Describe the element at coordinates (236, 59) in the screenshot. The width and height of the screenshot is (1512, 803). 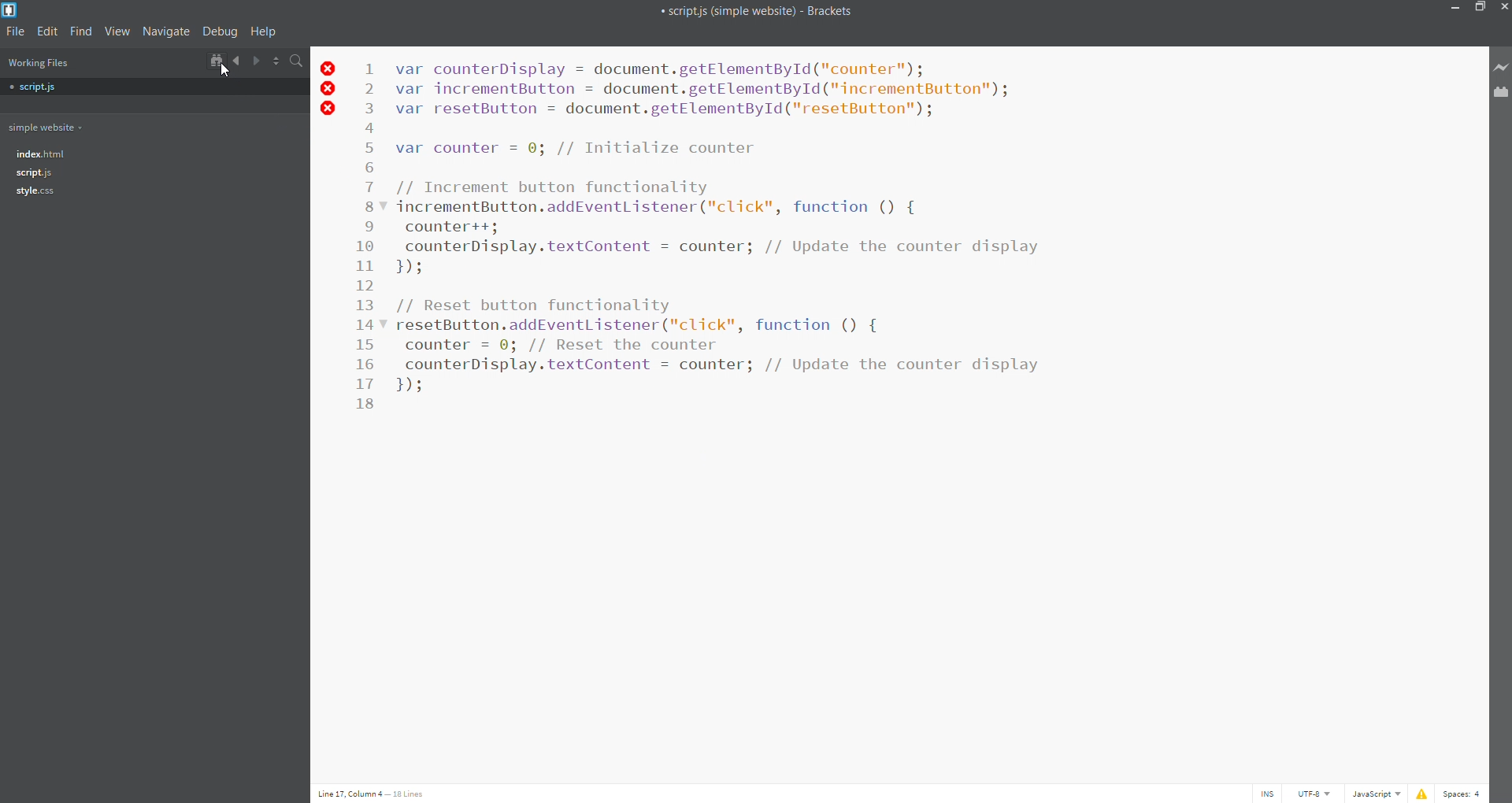
I see `navigate backward` at that location.